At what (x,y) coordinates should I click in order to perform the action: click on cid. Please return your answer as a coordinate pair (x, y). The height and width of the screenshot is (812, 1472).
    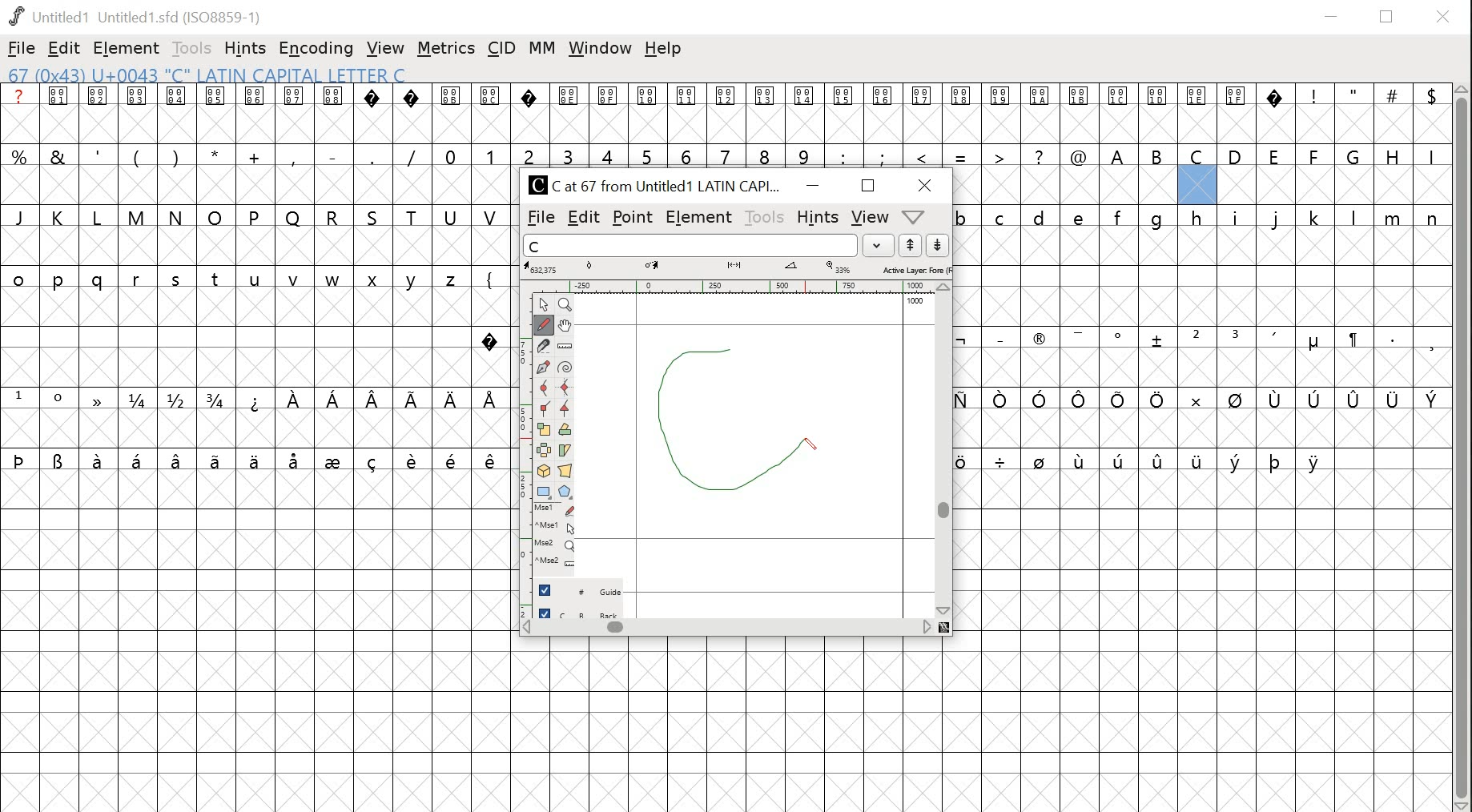
    Looking at the image, I should click on (501, 46).